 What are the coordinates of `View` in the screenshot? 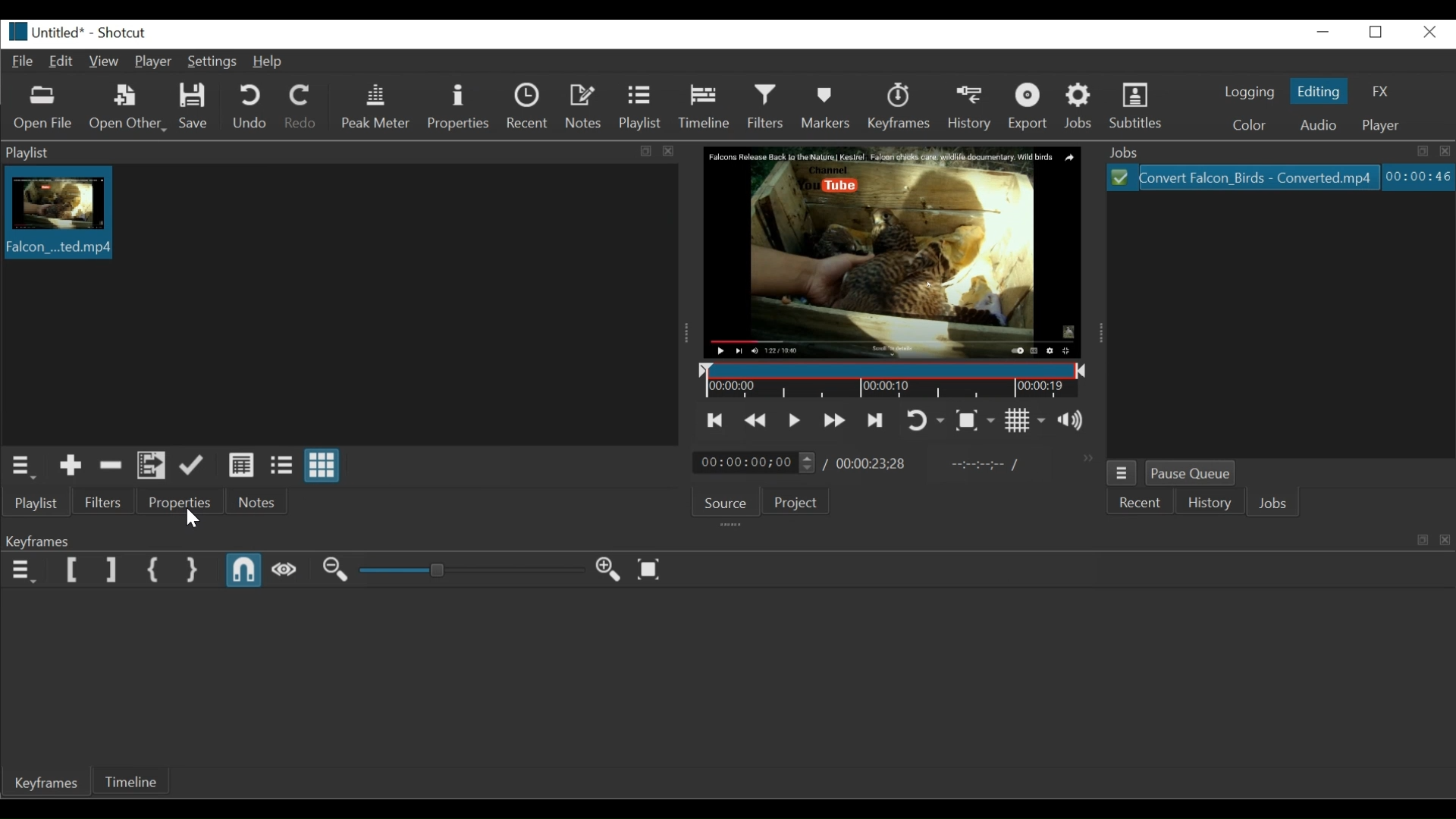 It's located at (103, 63).